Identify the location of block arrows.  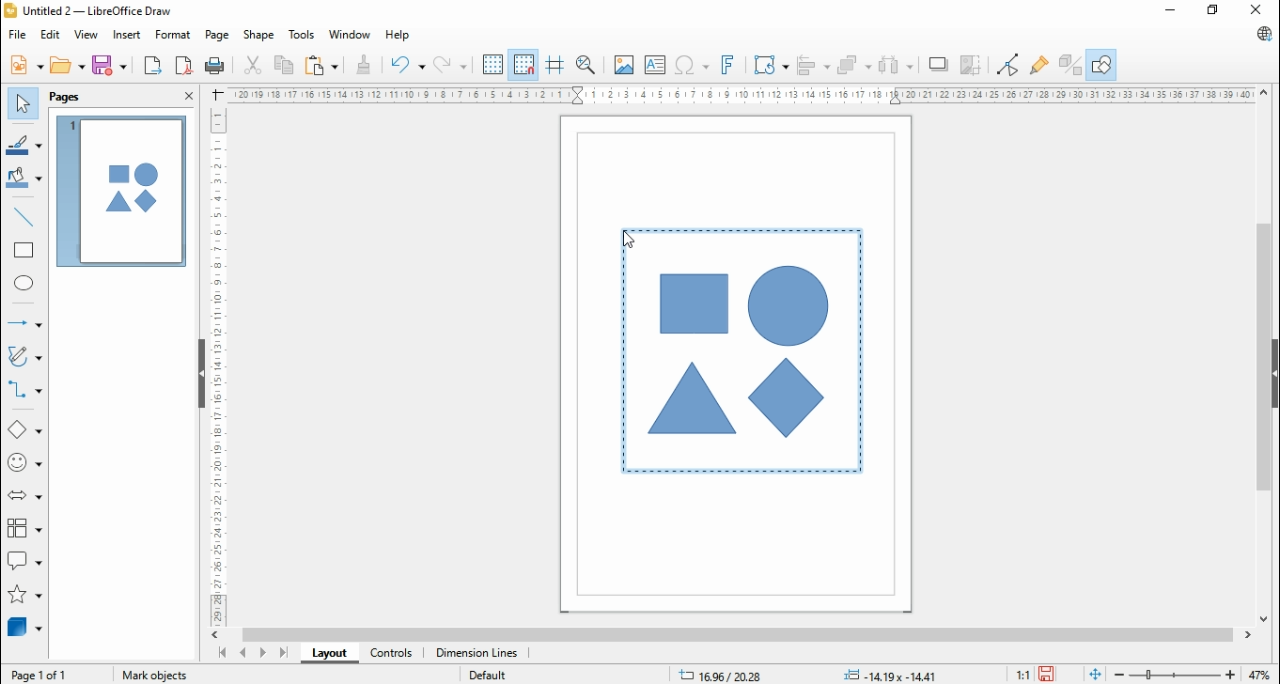
(25, 495).